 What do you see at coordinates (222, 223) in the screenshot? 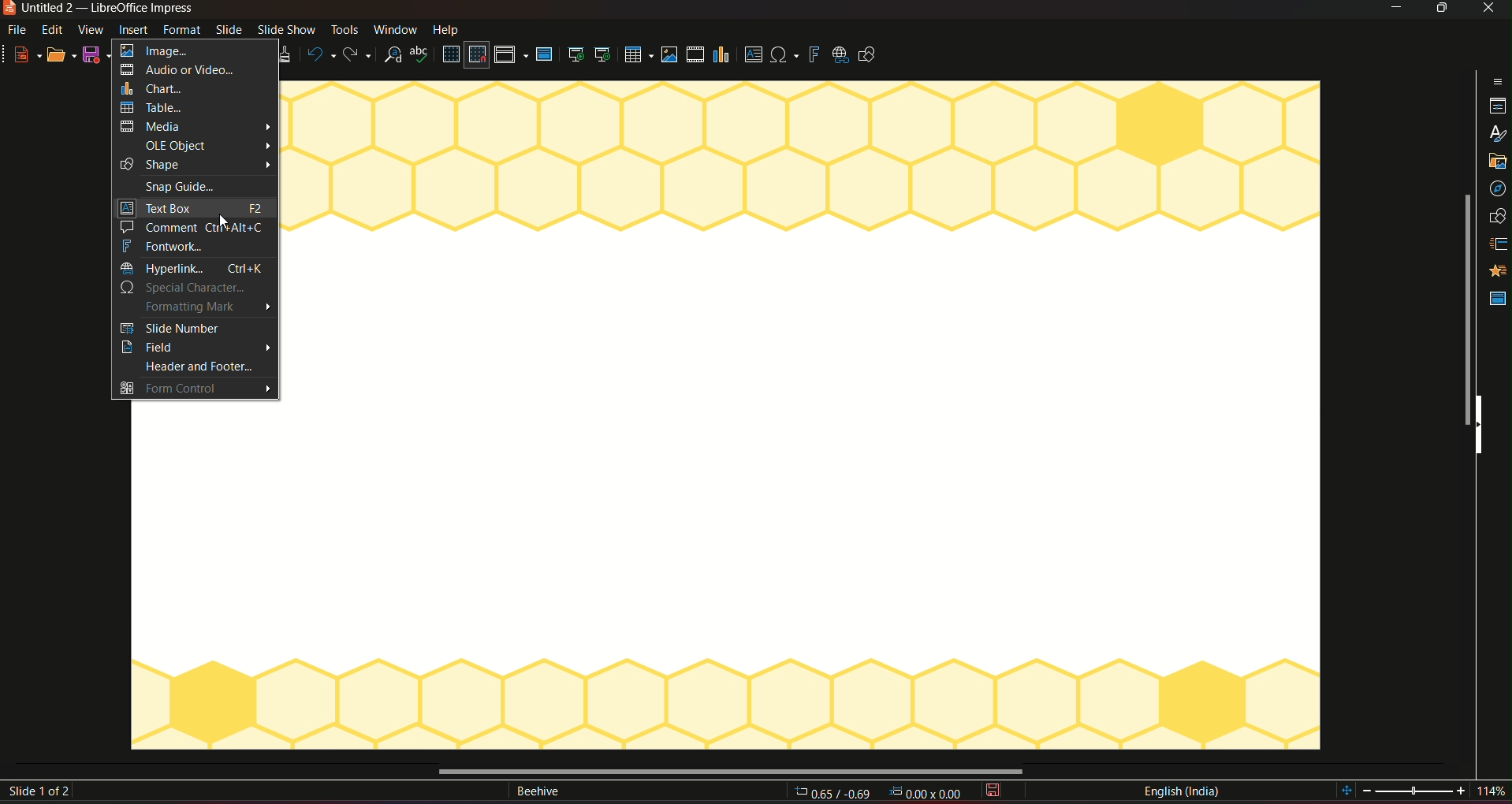
I see `cursor` at bounding box center [222, 223].